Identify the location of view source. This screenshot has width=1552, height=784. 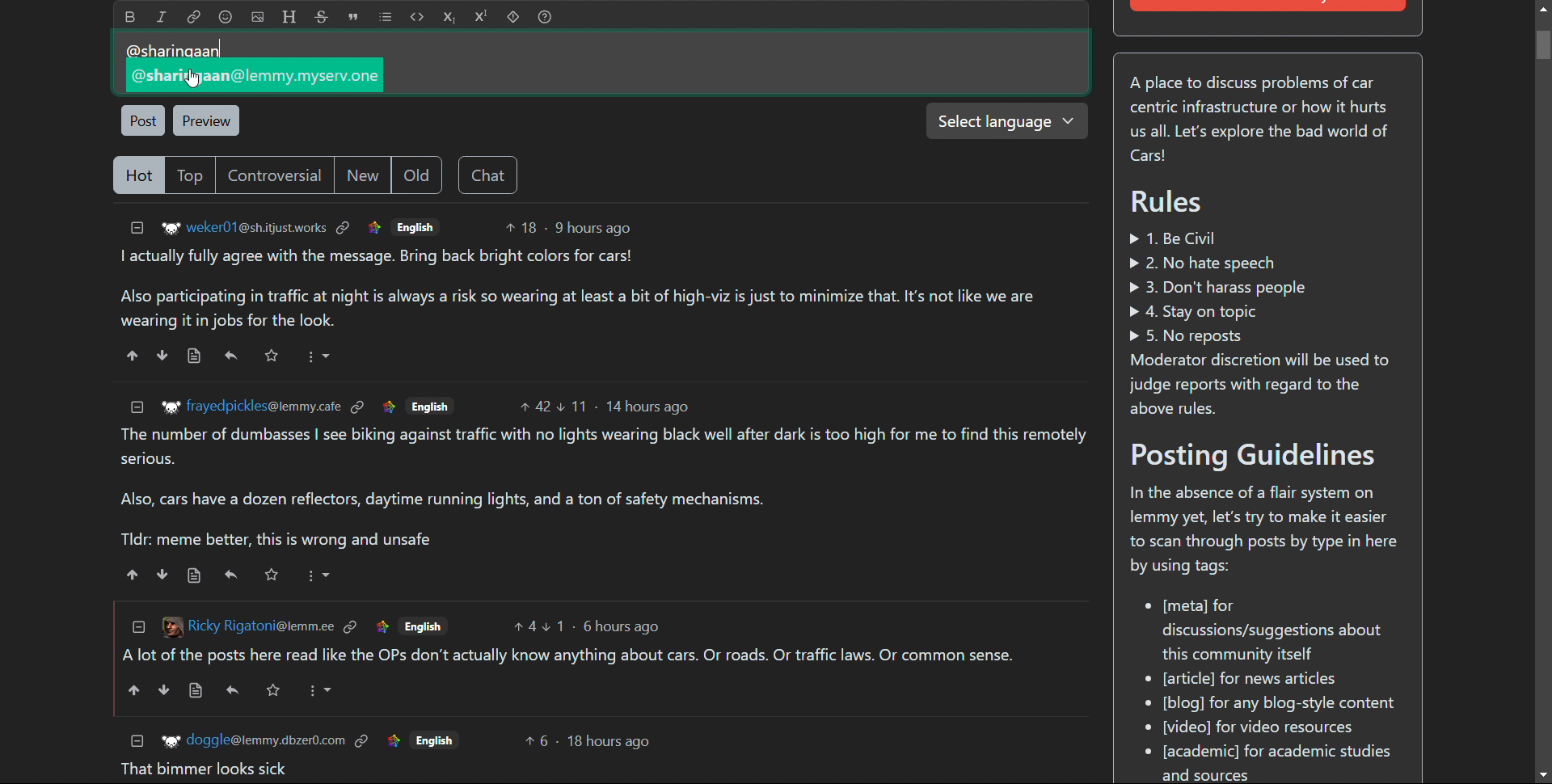
(193, 356).